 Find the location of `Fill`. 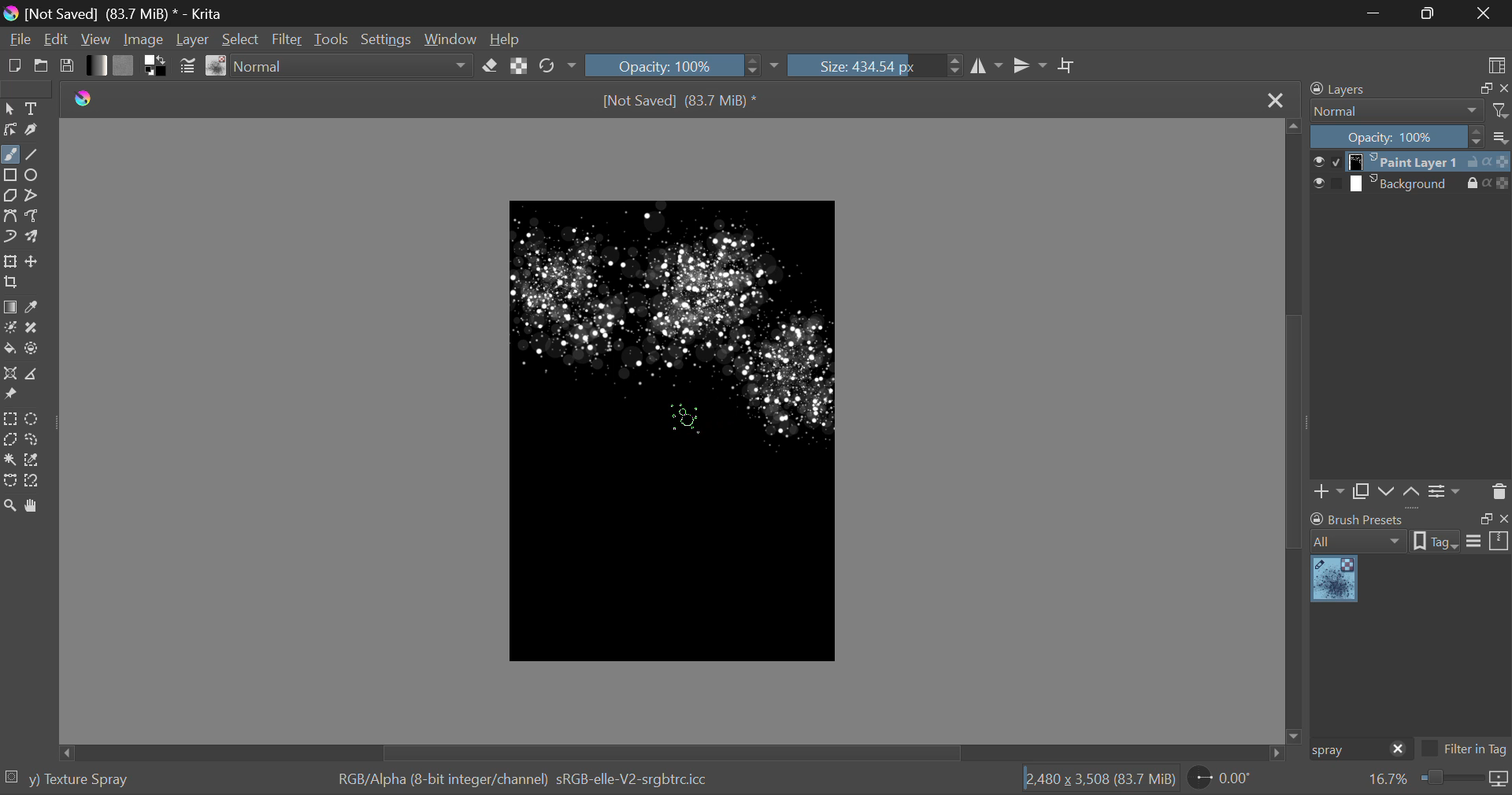

Fill is located at coordinates (9, 349).